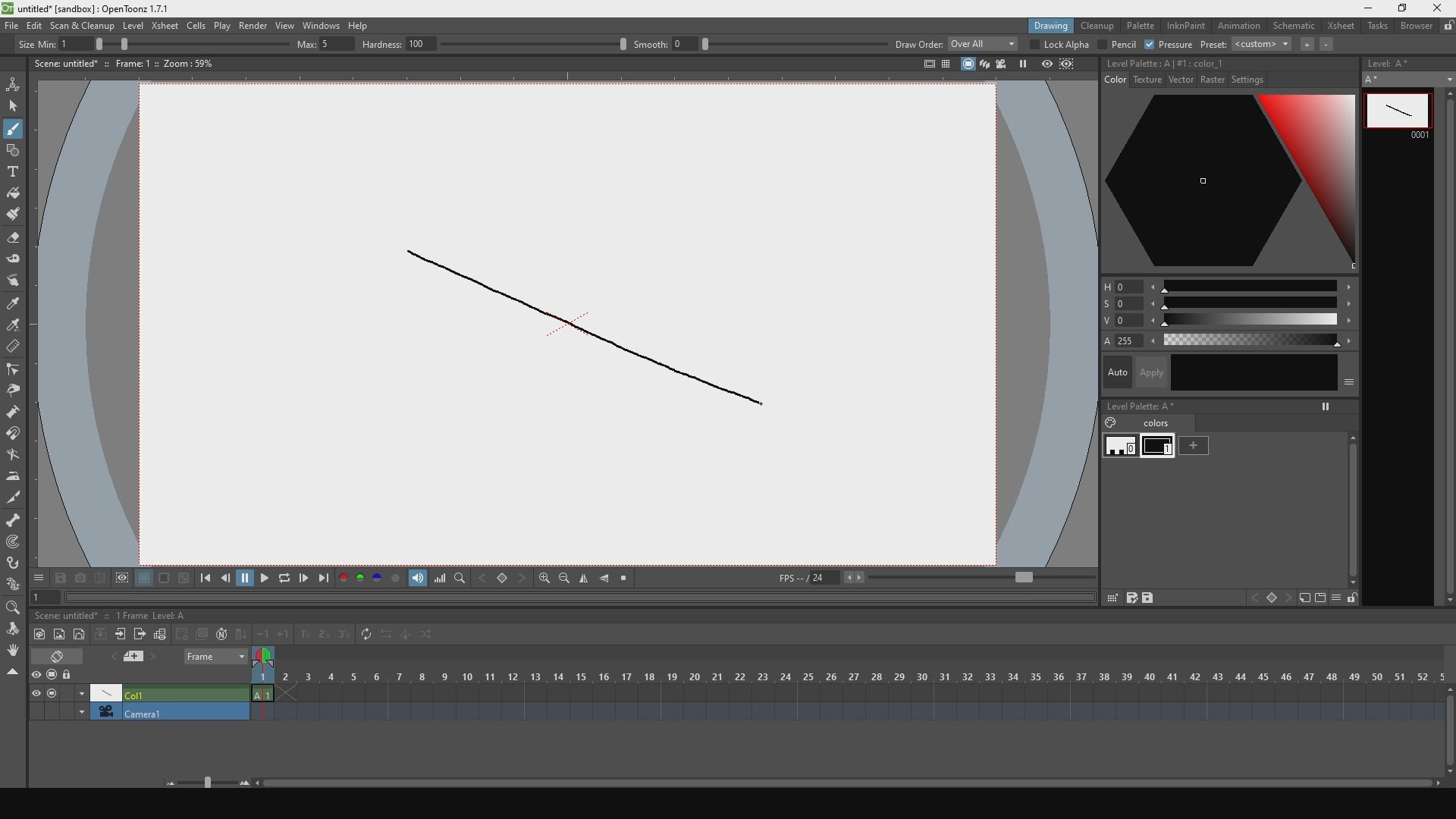  I want to click on tape, so click(15, 262).